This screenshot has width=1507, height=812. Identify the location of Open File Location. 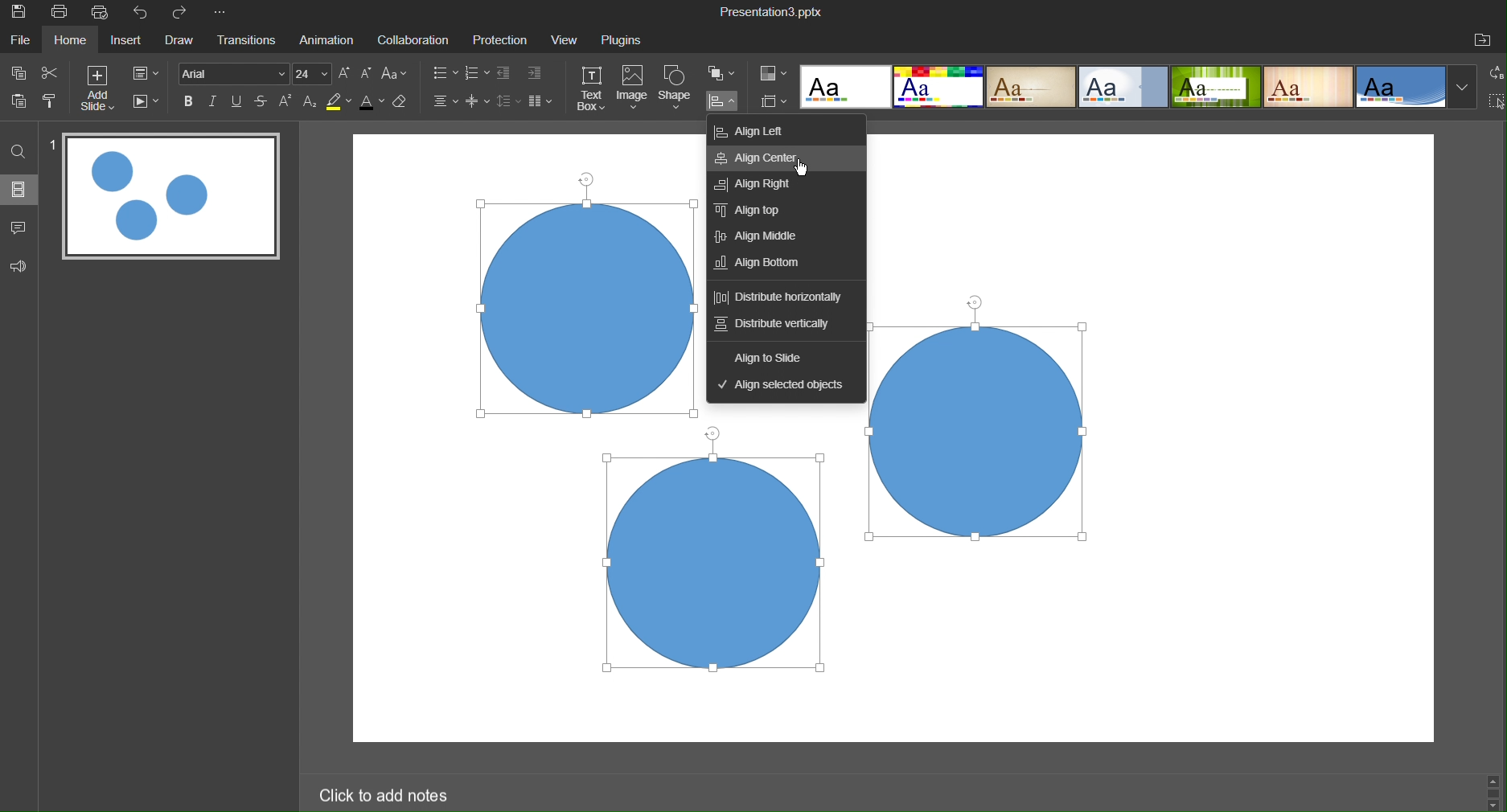
(1485, 39).